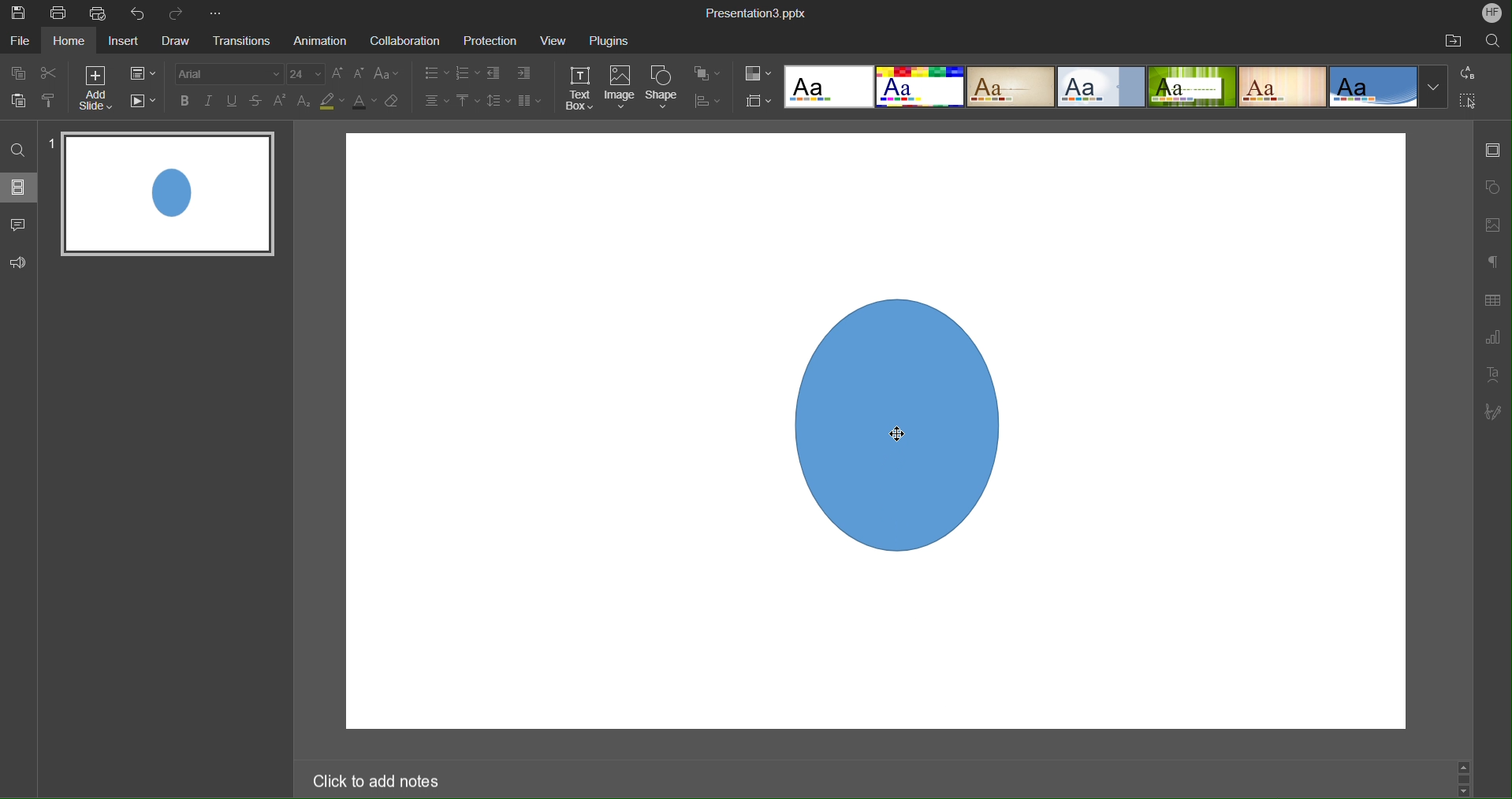 Image resolution: width=1512 pixels, height=799 pixels. Describe the element at coordinates (397, 104) in the screenshot. I see `Erase Style` at that location.